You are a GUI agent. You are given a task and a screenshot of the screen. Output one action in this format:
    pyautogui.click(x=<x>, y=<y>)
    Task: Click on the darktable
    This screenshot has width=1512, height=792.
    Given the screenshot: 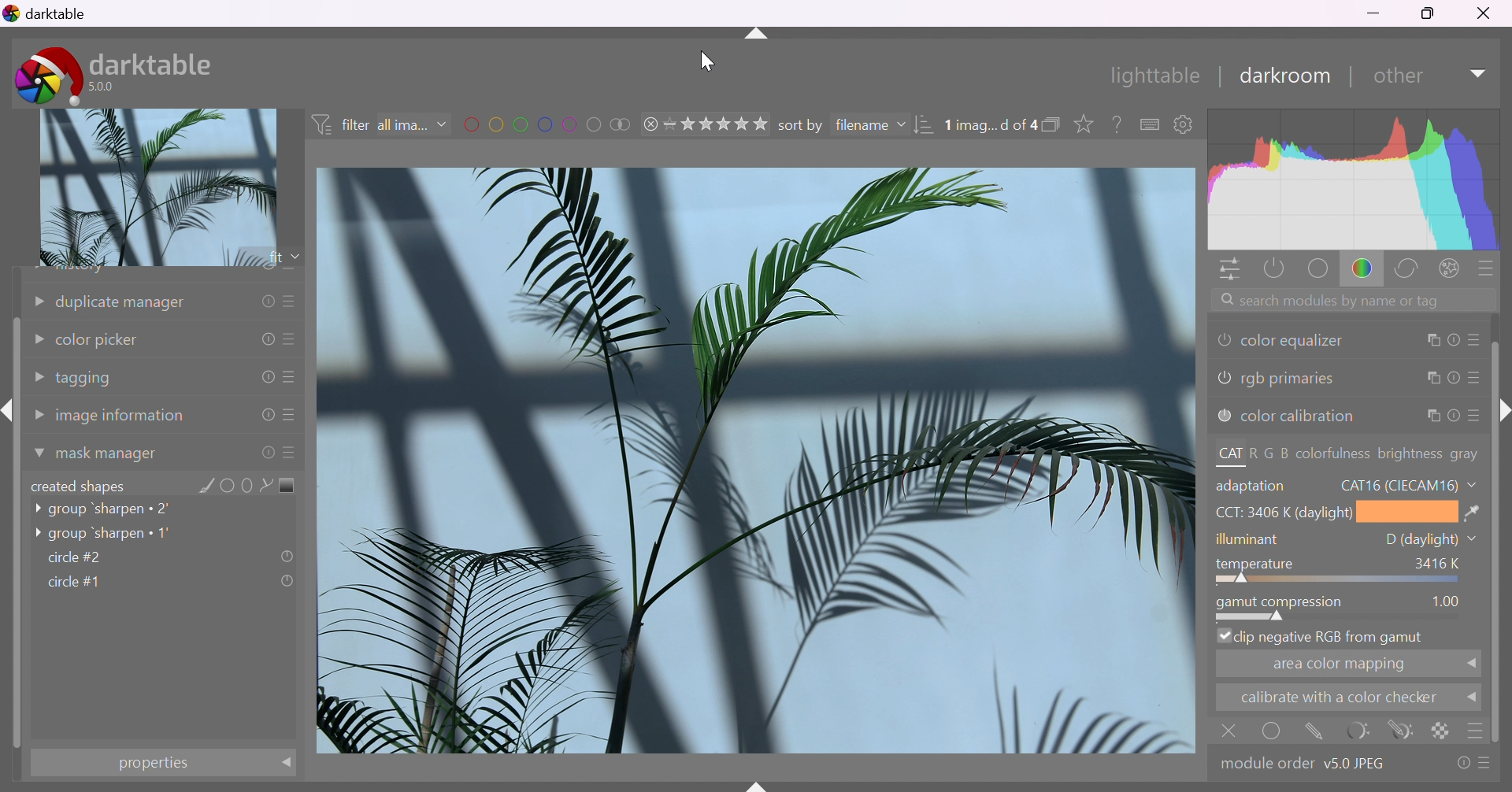 What is the action you would take?
    pyautogui.click(x=42, y=12)
    